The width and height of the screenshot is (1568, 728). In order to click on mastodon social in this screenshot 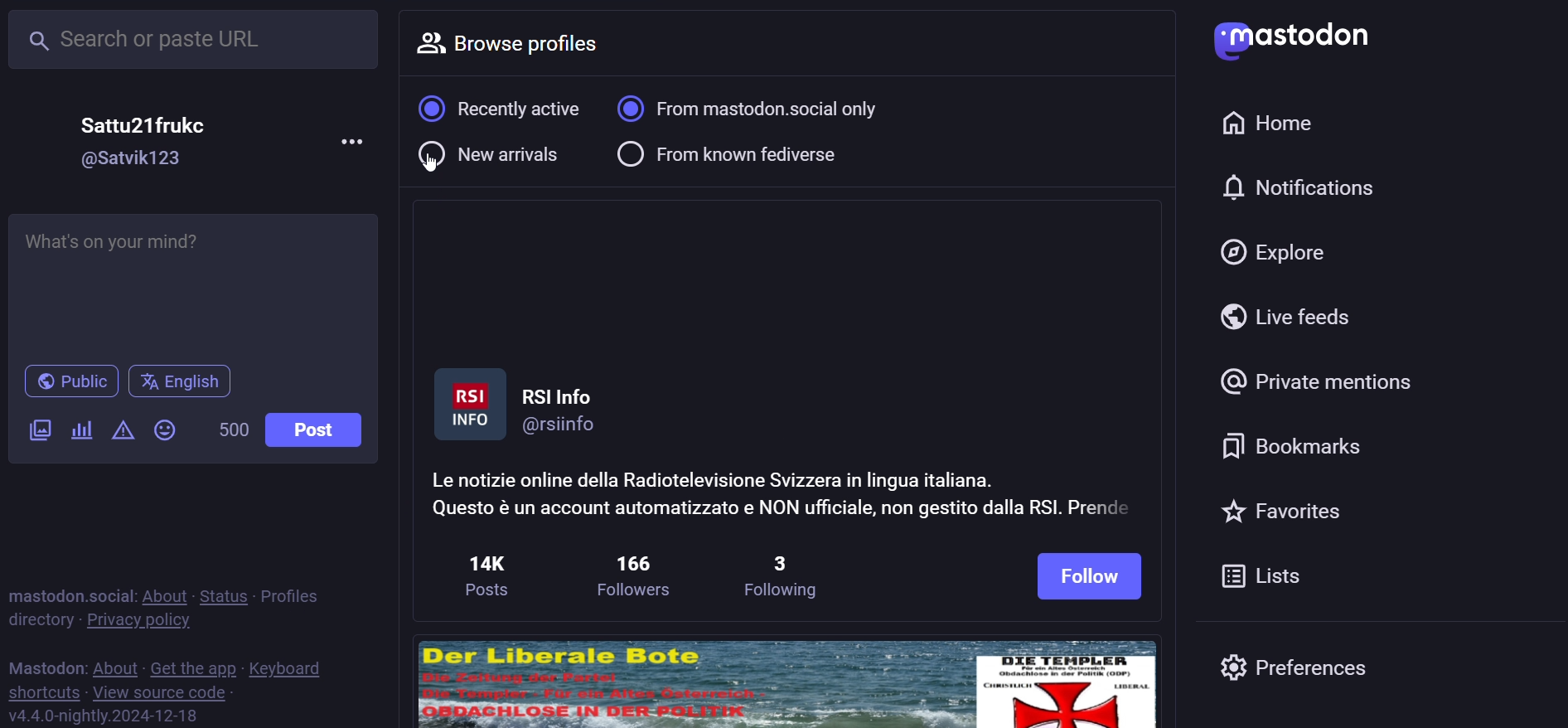, I will do `click(68, 594)`.